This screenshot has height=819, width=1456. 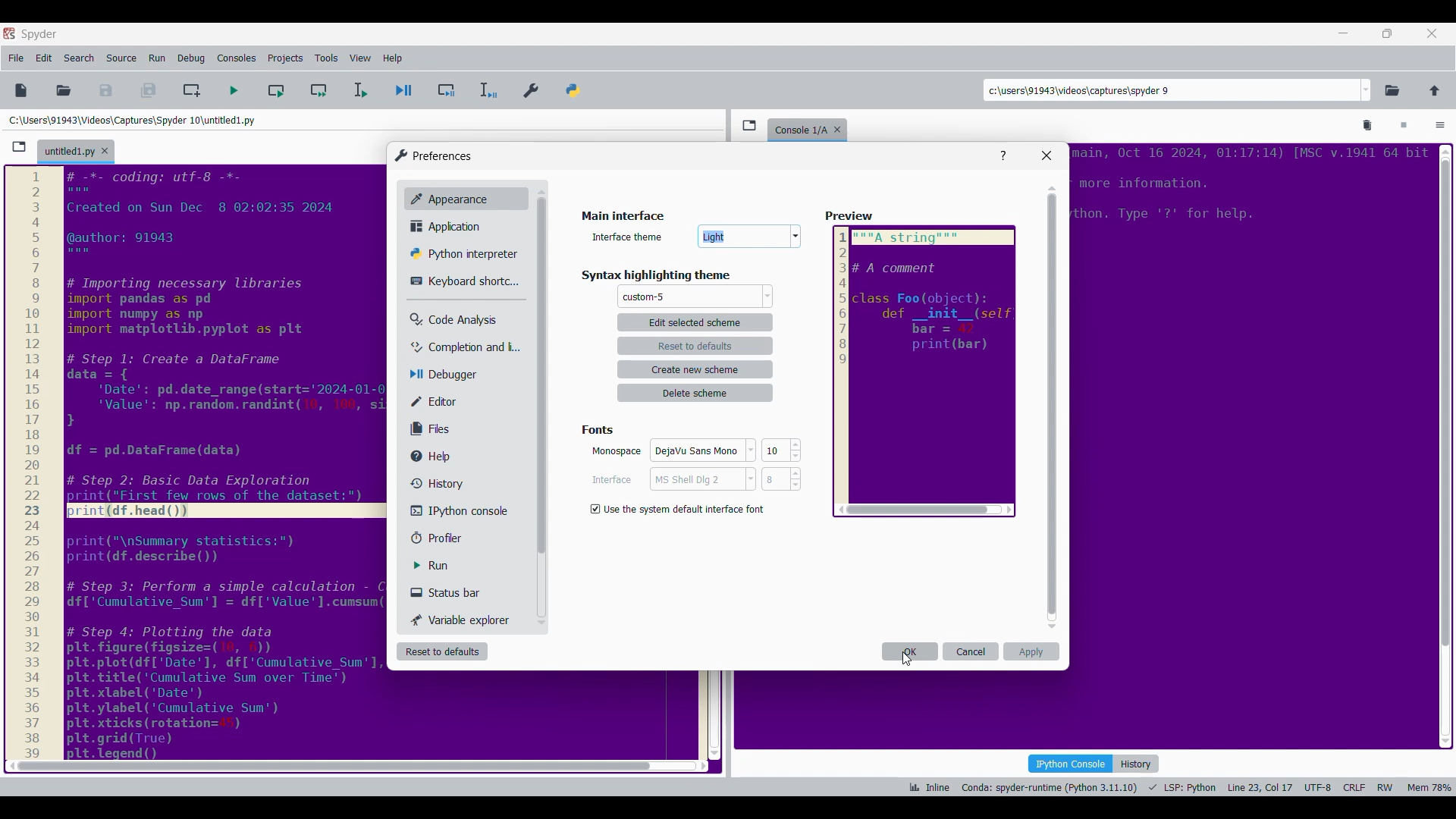 I want to click on Code analysis, so click(x=453, y=320).